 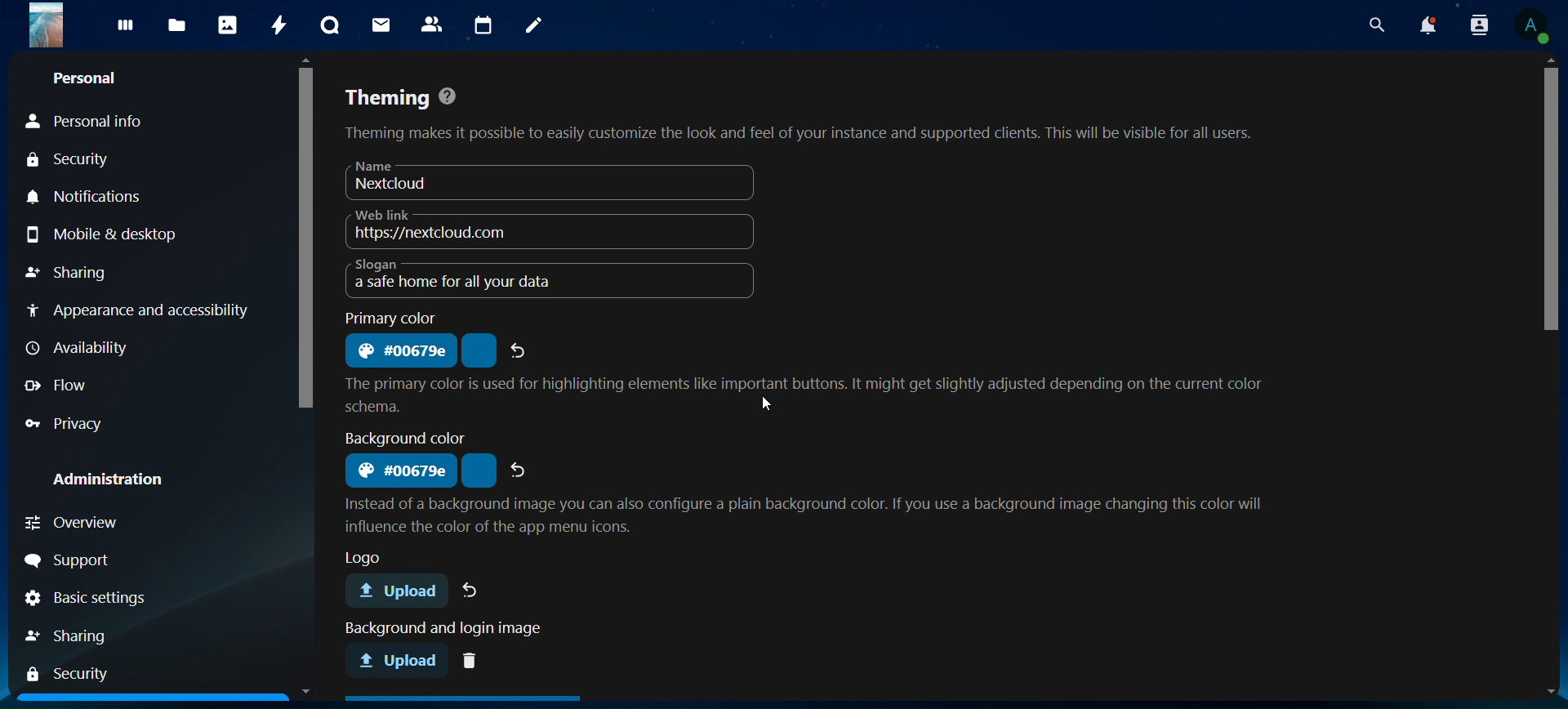 I want to click on notifications, so click(x=81, y=194).